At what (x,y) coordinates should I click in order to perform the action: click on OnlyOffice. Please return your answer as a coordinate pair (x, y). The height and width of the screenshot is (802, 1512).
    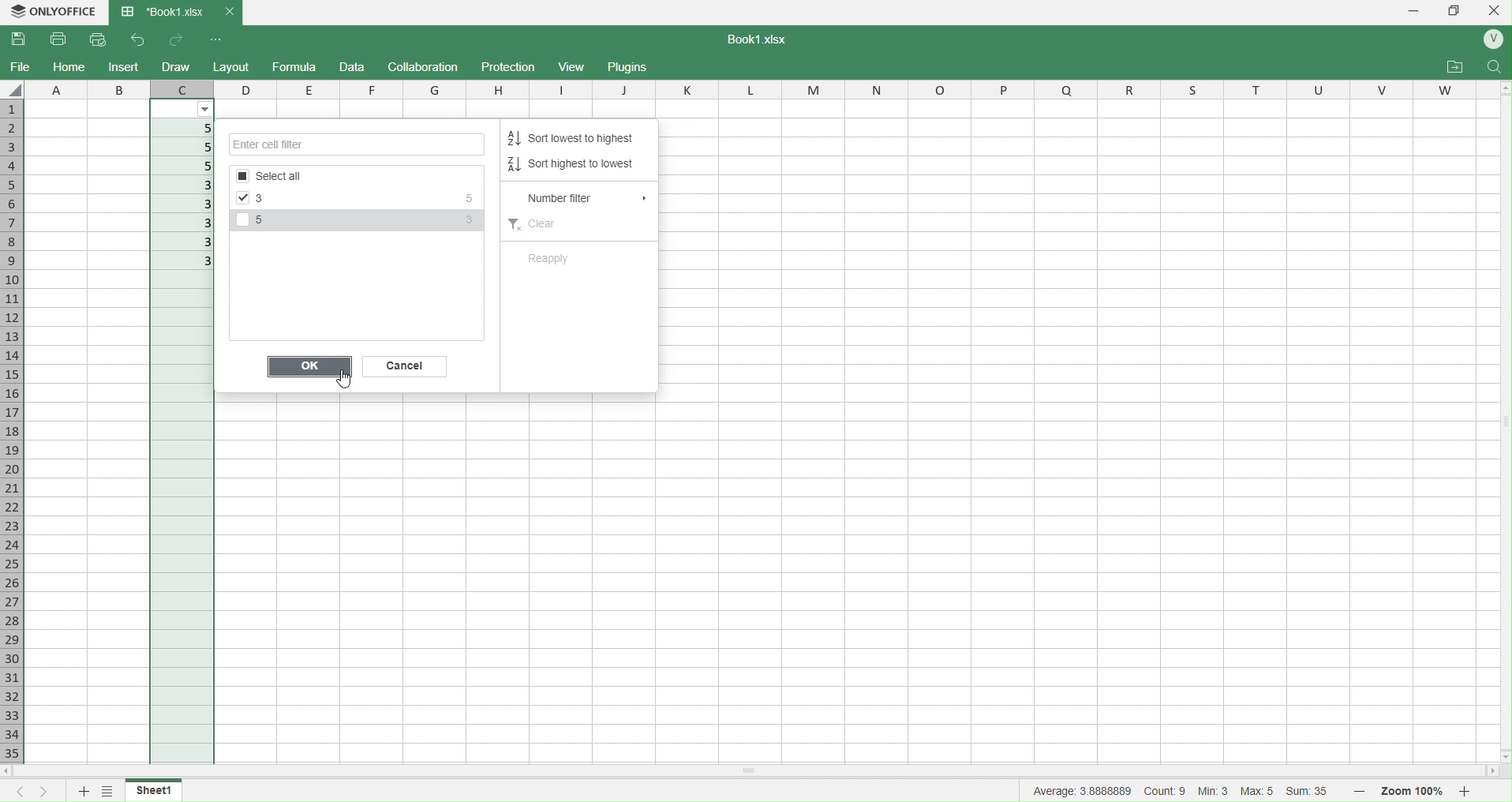
    Looking at the image, I should click on (56, 11).